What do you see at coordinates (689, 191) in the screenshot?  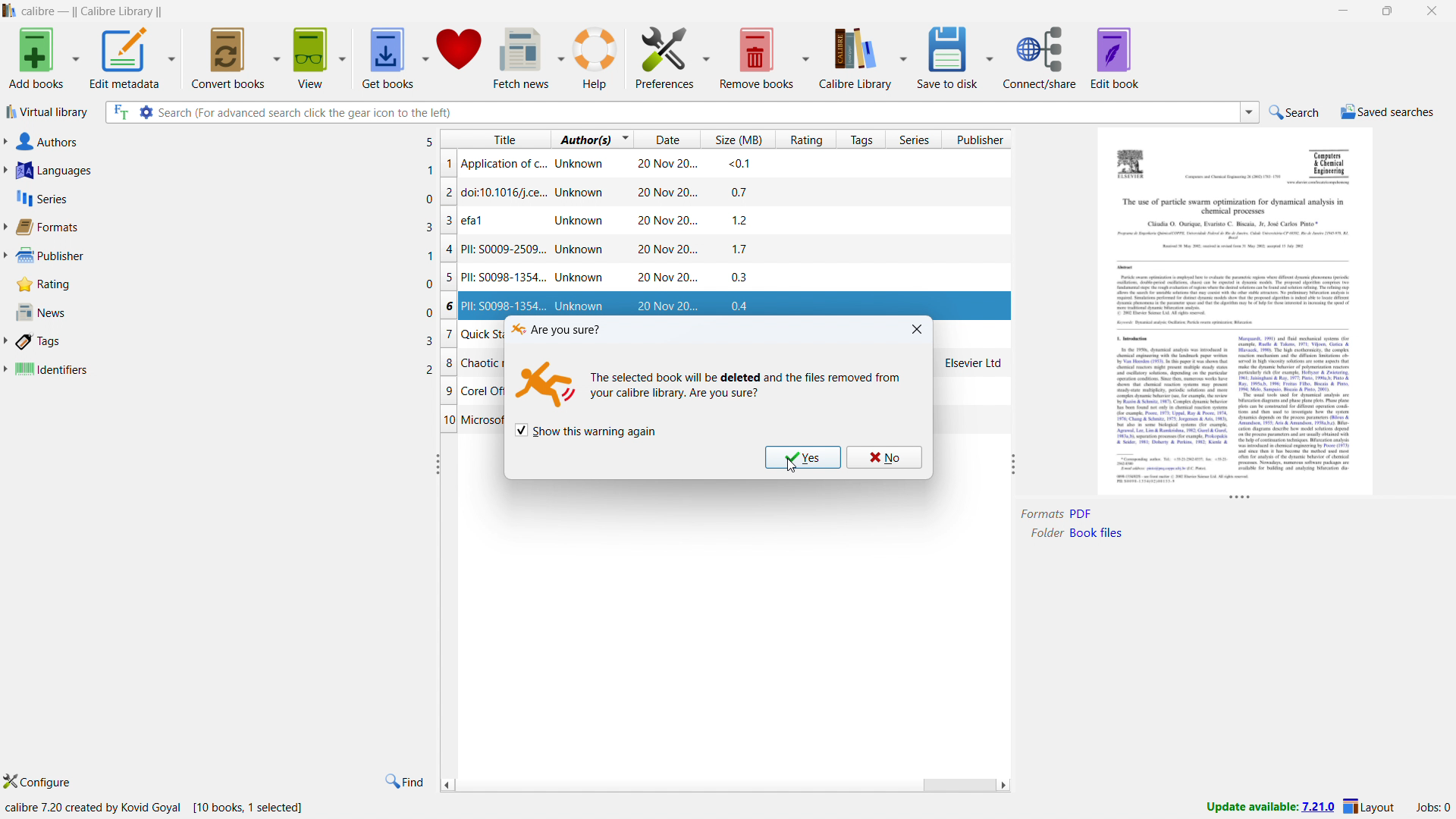 I see `doic 10.1016/j.ce..` at bounding box center [689, 191].